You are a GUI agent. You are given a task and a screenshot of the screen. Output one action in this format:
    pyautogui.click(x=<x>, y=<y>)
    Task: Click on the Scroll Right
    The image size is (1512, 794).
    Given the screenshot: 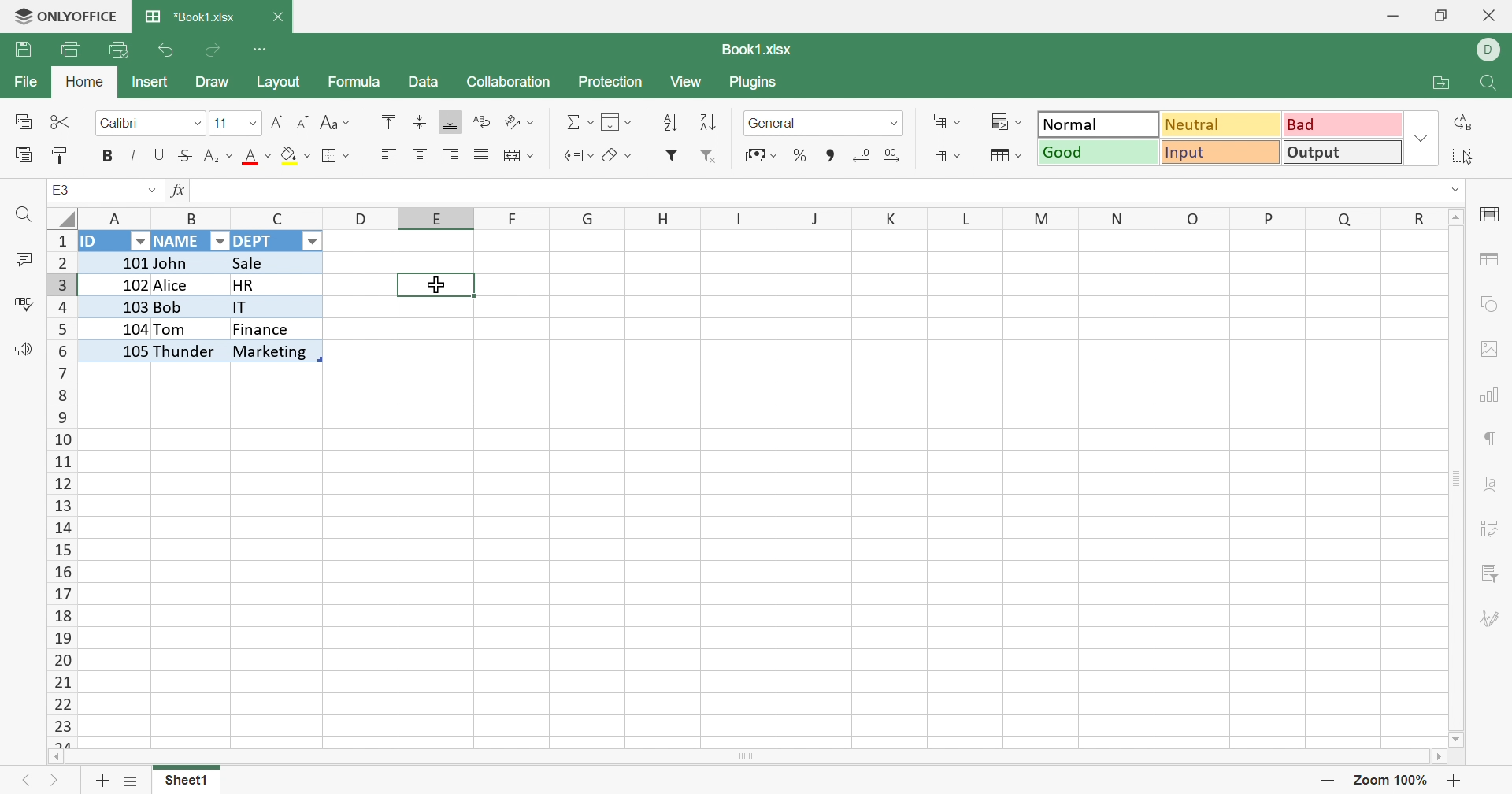 What is the action you would take?
    pyautogui.click(x=1436, y=756)
    